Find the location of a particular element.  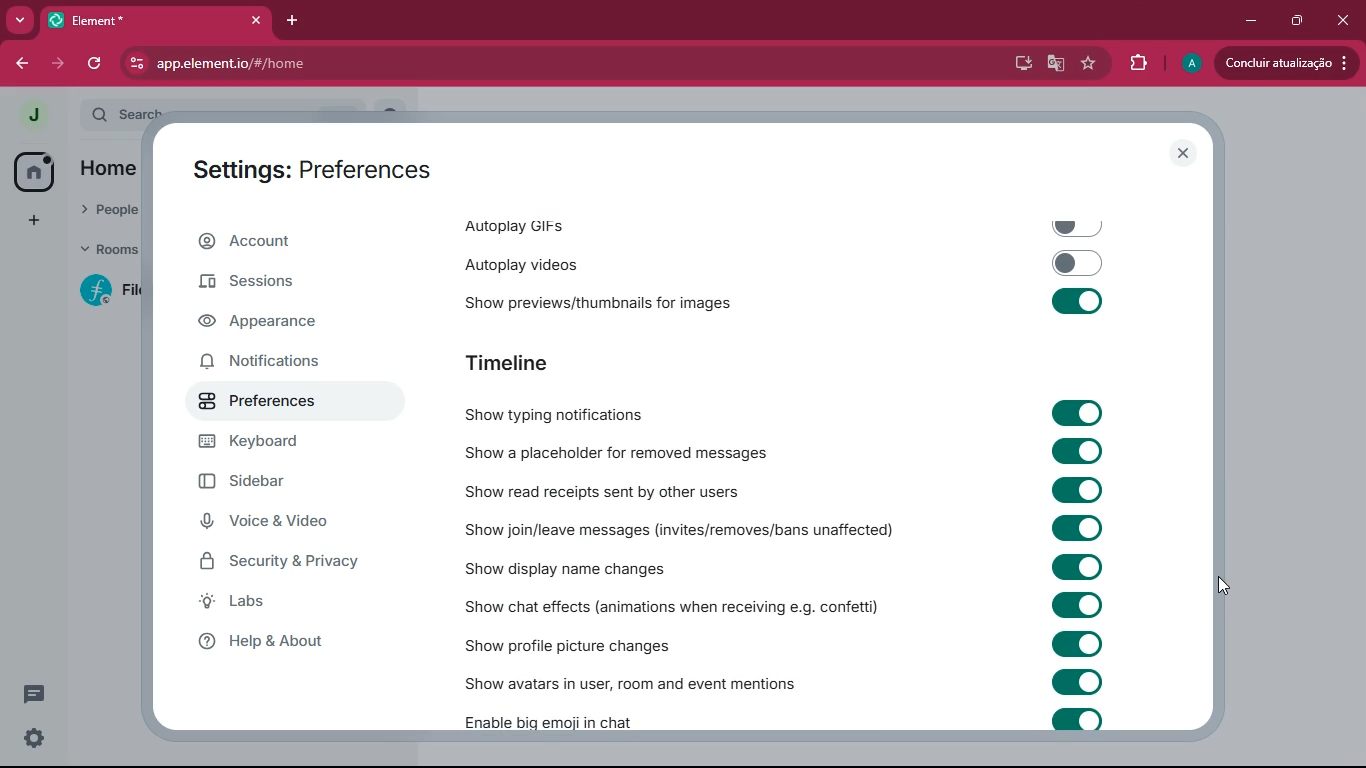

notifications is located at coordinates (281, 366).